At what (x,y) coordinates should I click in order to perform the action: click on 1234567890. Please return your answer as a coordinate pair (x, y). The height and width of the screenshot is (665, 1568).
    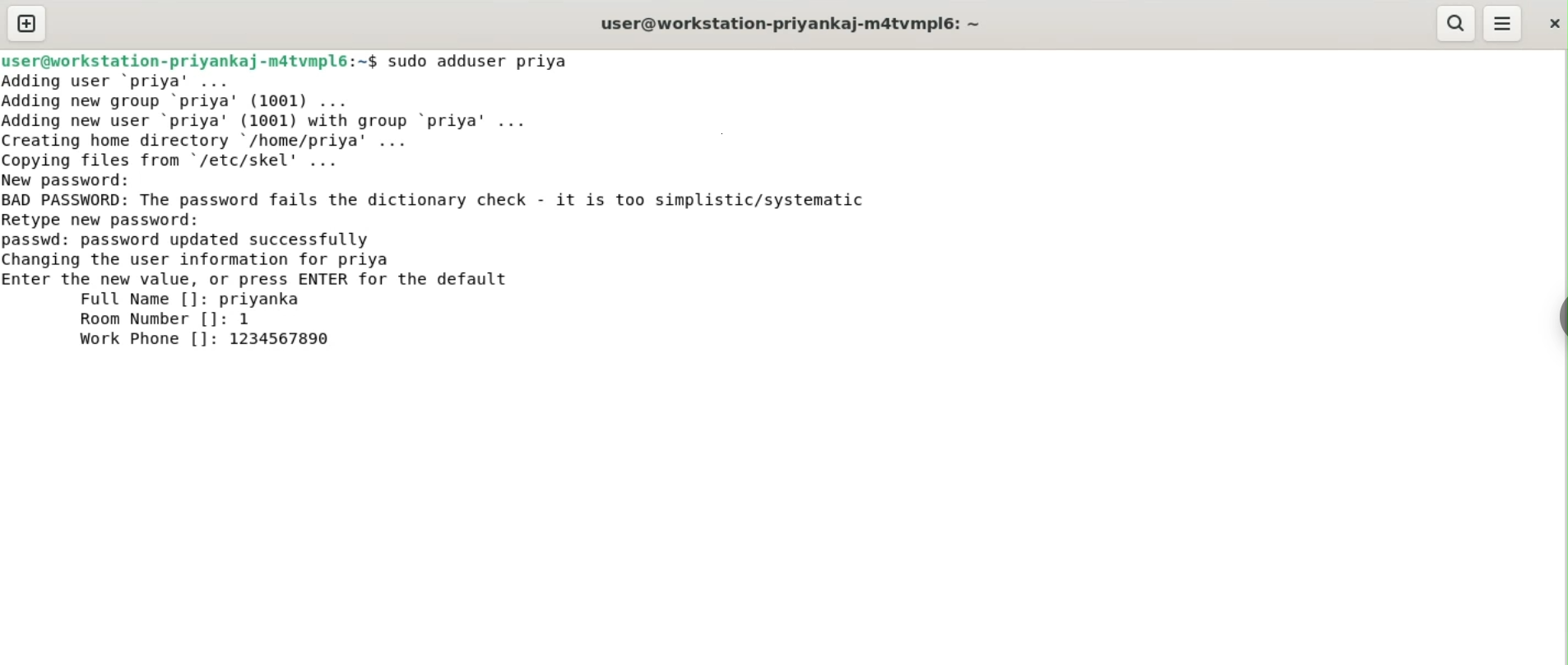
    Looking at the image, I should click on (290, 341).